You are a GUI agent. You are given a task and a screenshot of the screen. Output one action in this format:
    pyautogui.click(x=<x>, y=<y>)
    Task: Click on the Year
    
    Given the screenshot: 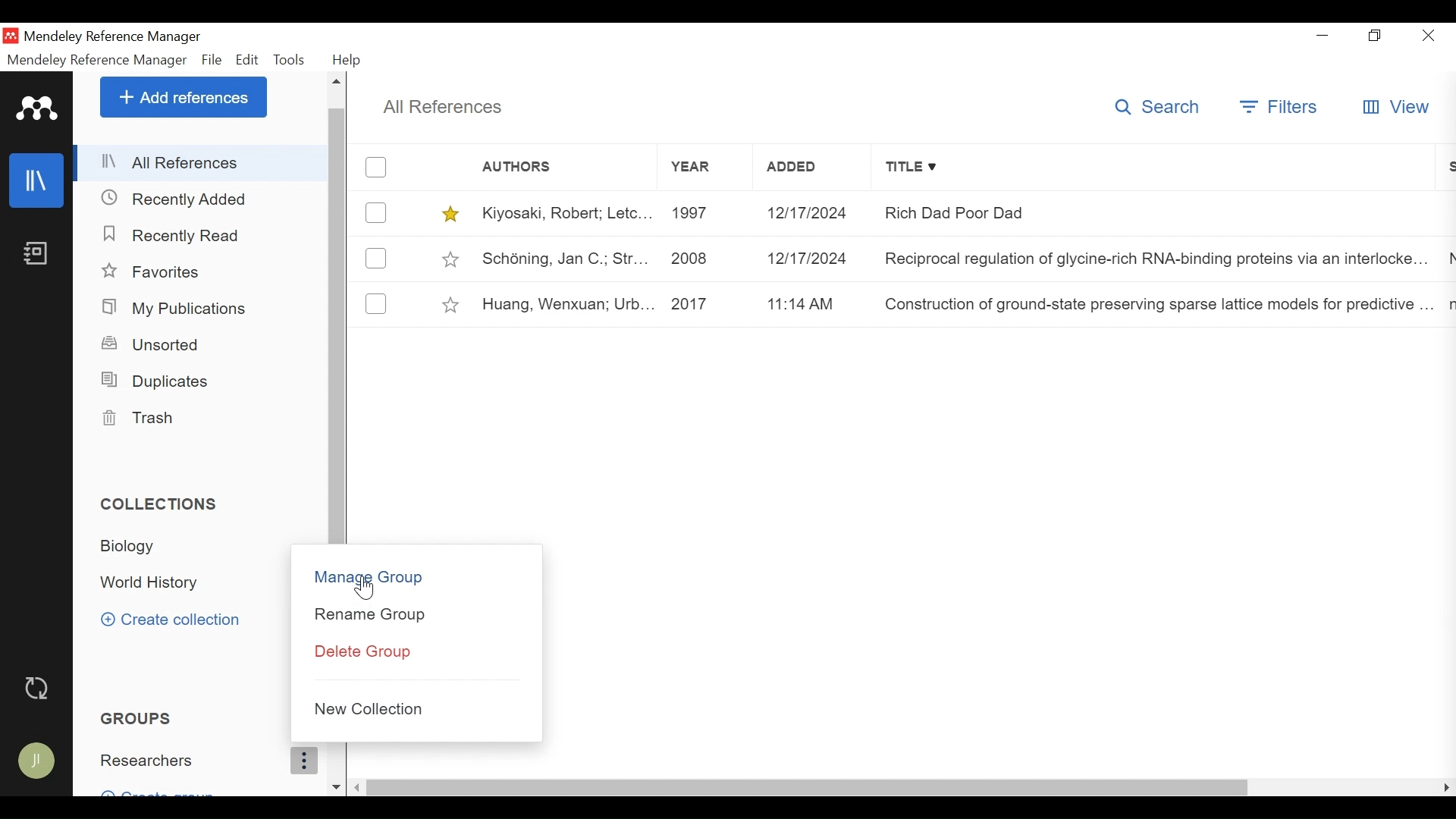 What is the action you would take?
    pyautogui.click(x=701, y=169)
    